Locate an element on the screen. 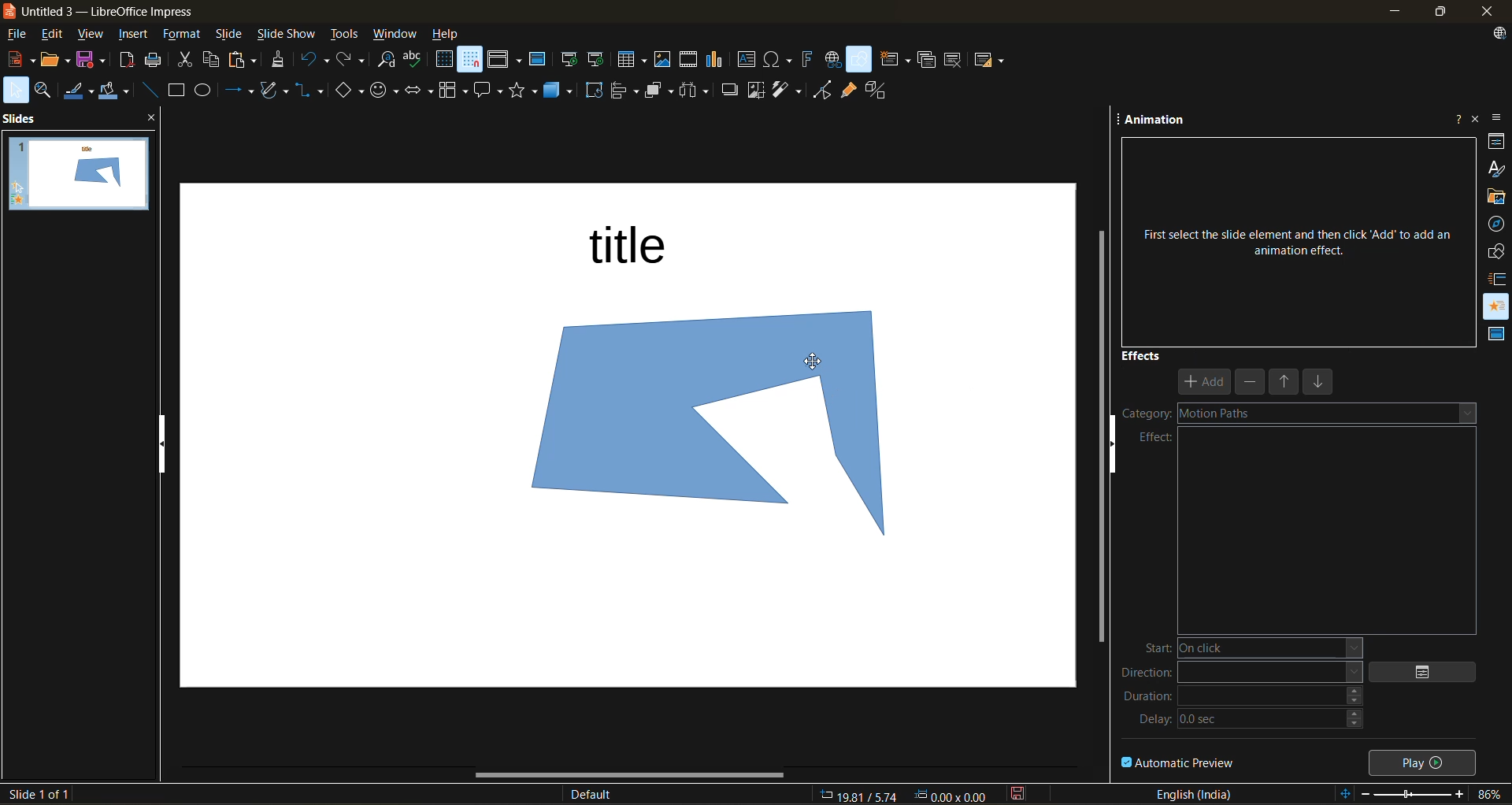 The width and height of the screenshot is (1512, 805). insert textbox is located at coordinates (744, 61).